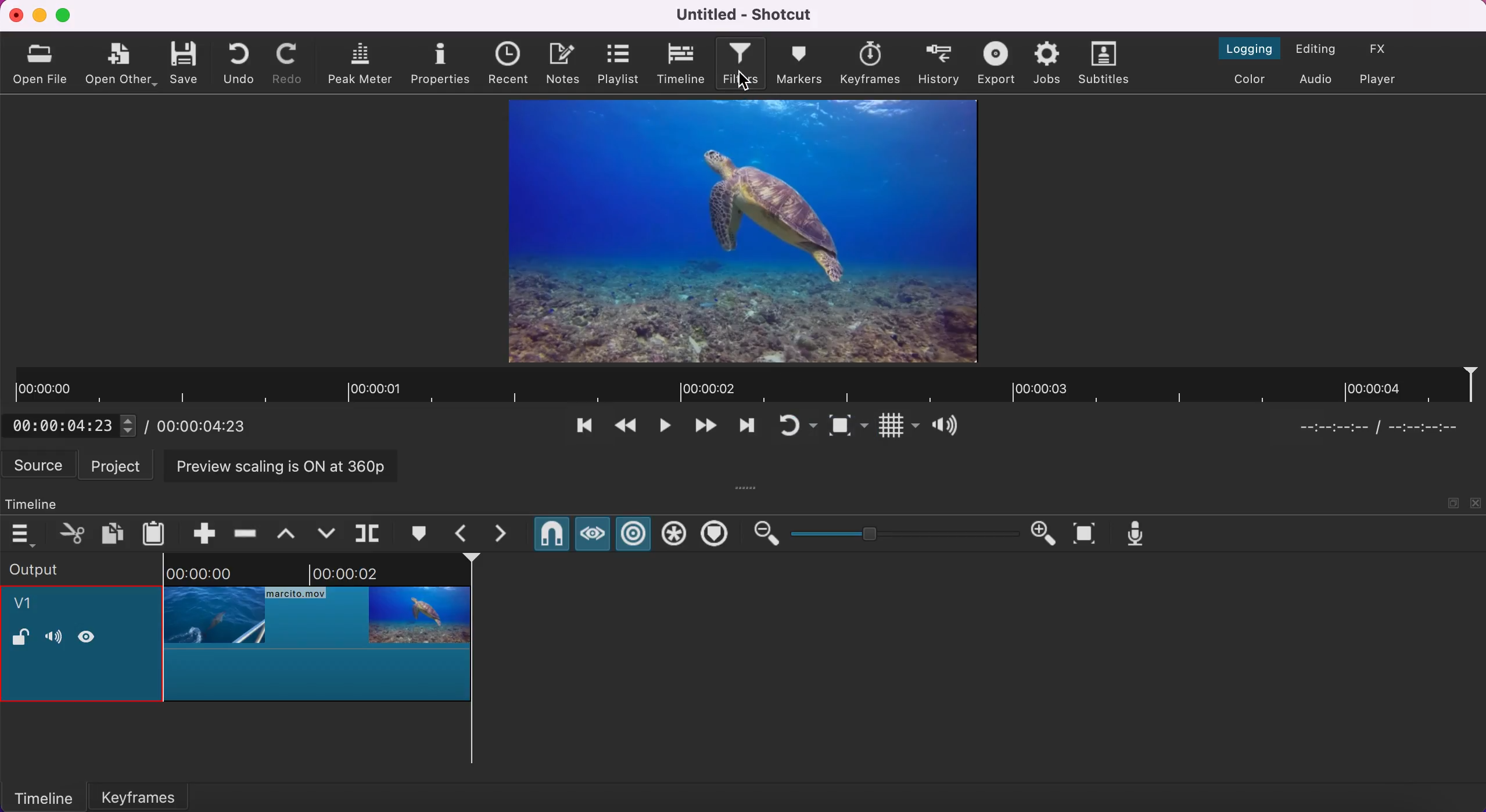 Image resolution: width=1486 pixels, height=812 pixels. What do you see at coordinates (44, 501) in the screenshot?
I see `timeline` at bounding box center [44, 501].